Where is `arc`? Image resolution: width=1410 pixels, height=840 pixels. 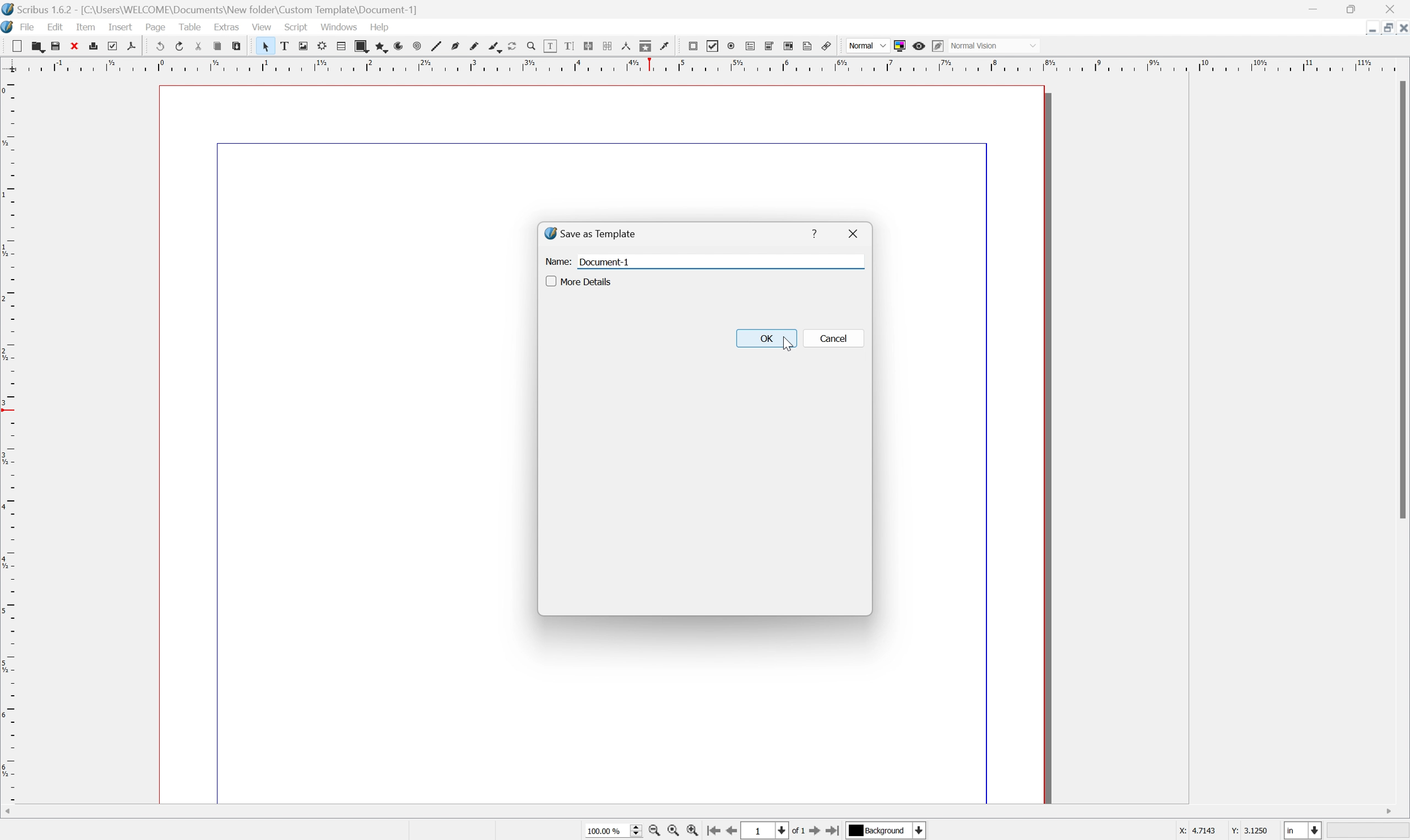
arc is located at coordinates (395, 45).